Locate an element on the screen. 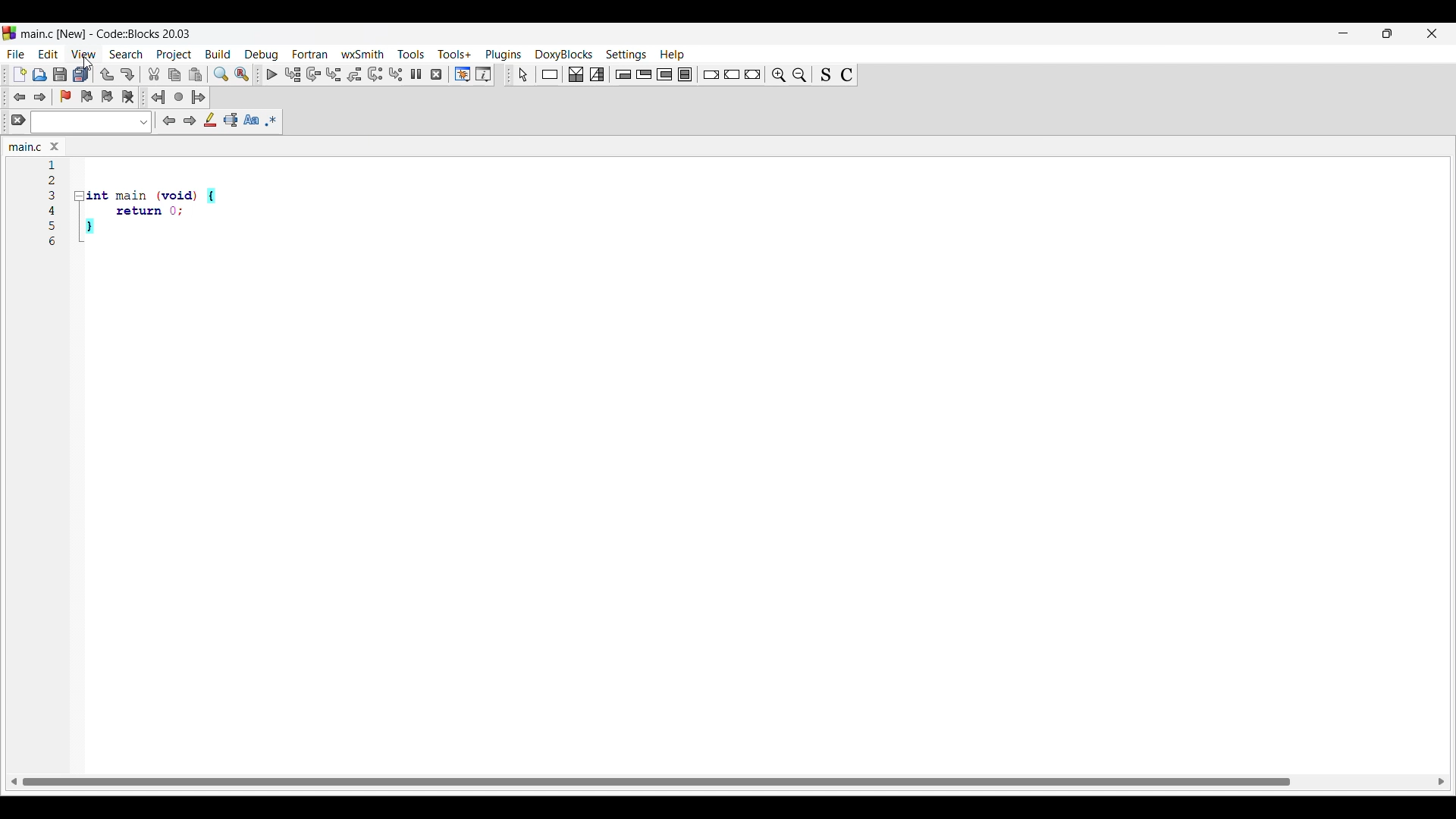 The width and height of the screenshot is (1456, 819). Previous is located at coordinates (168, 121).